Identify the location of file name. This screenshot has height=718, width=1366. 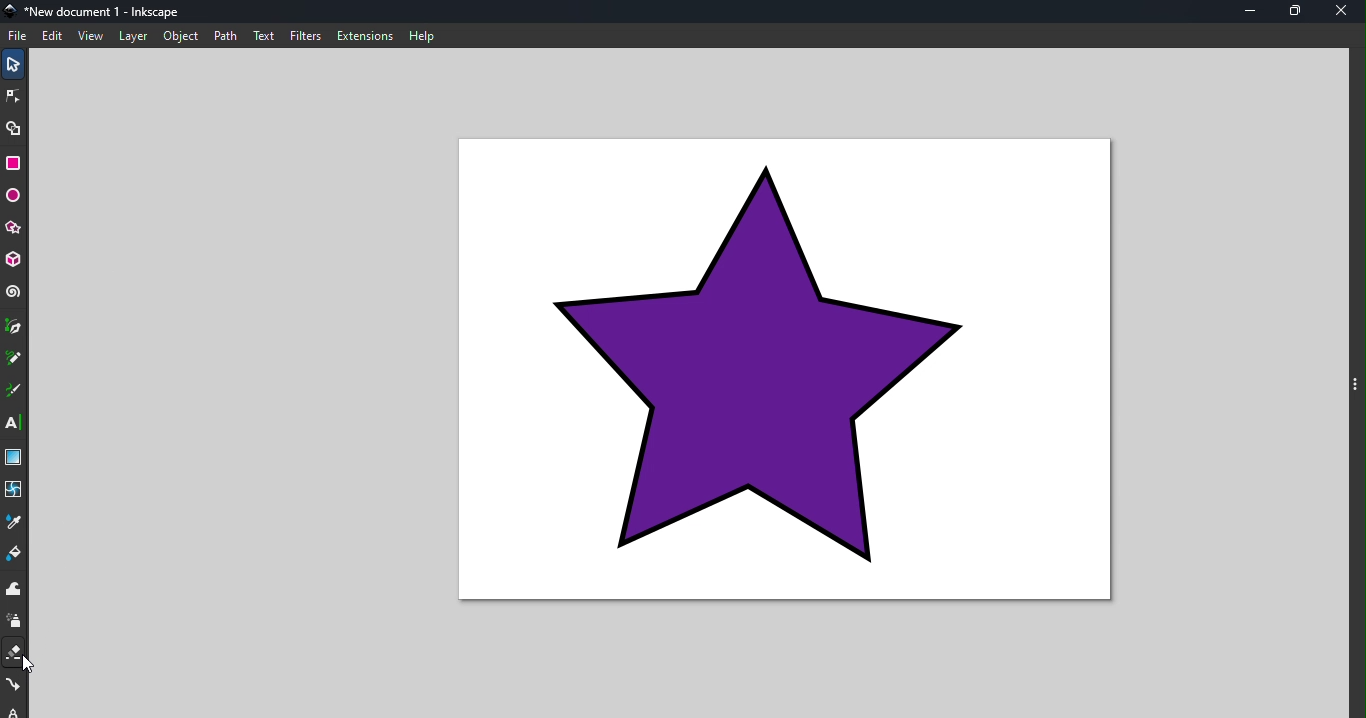
(98, 10).